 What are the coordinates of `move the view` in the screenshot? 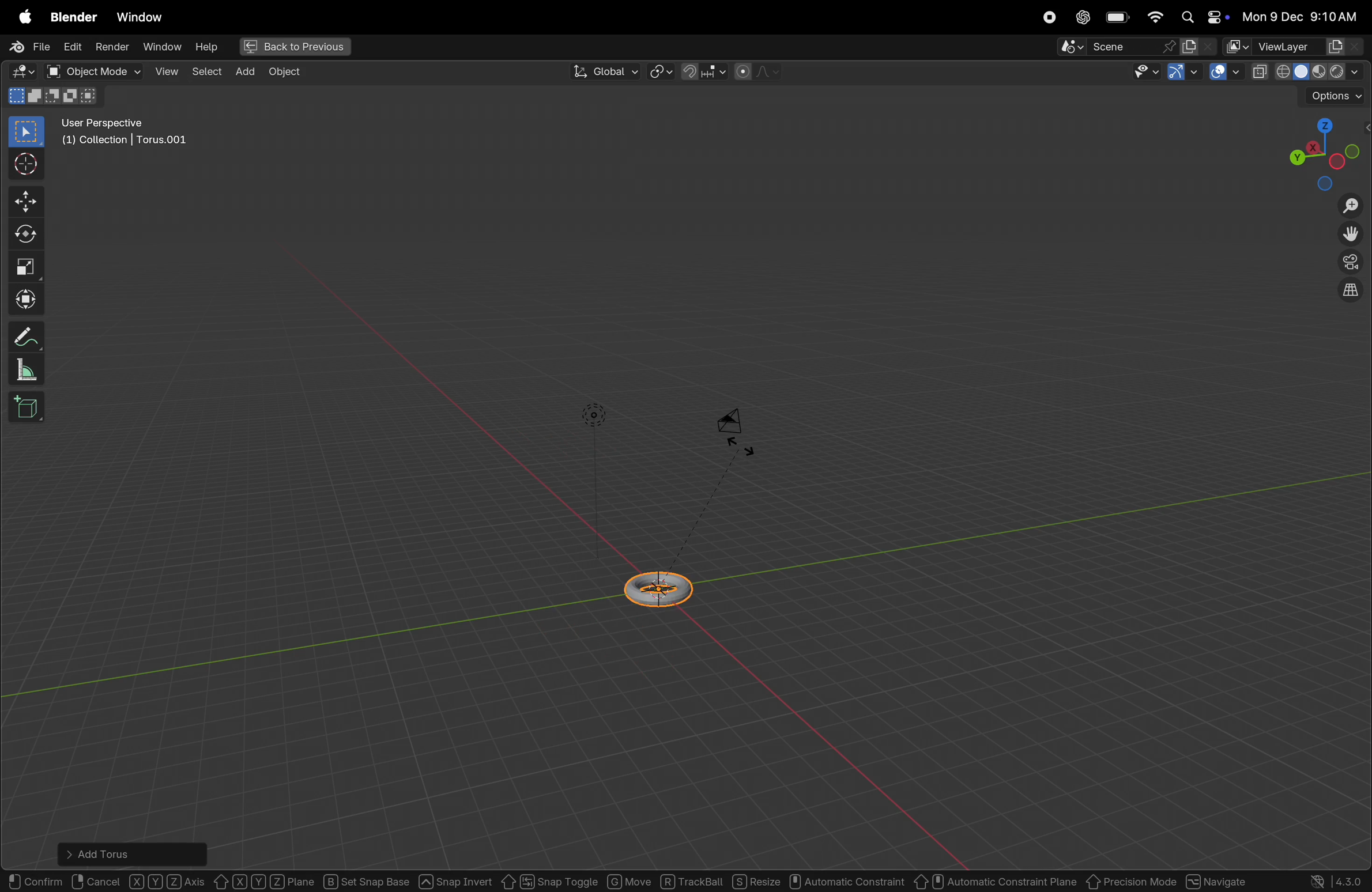 It's located at (1348, 235).